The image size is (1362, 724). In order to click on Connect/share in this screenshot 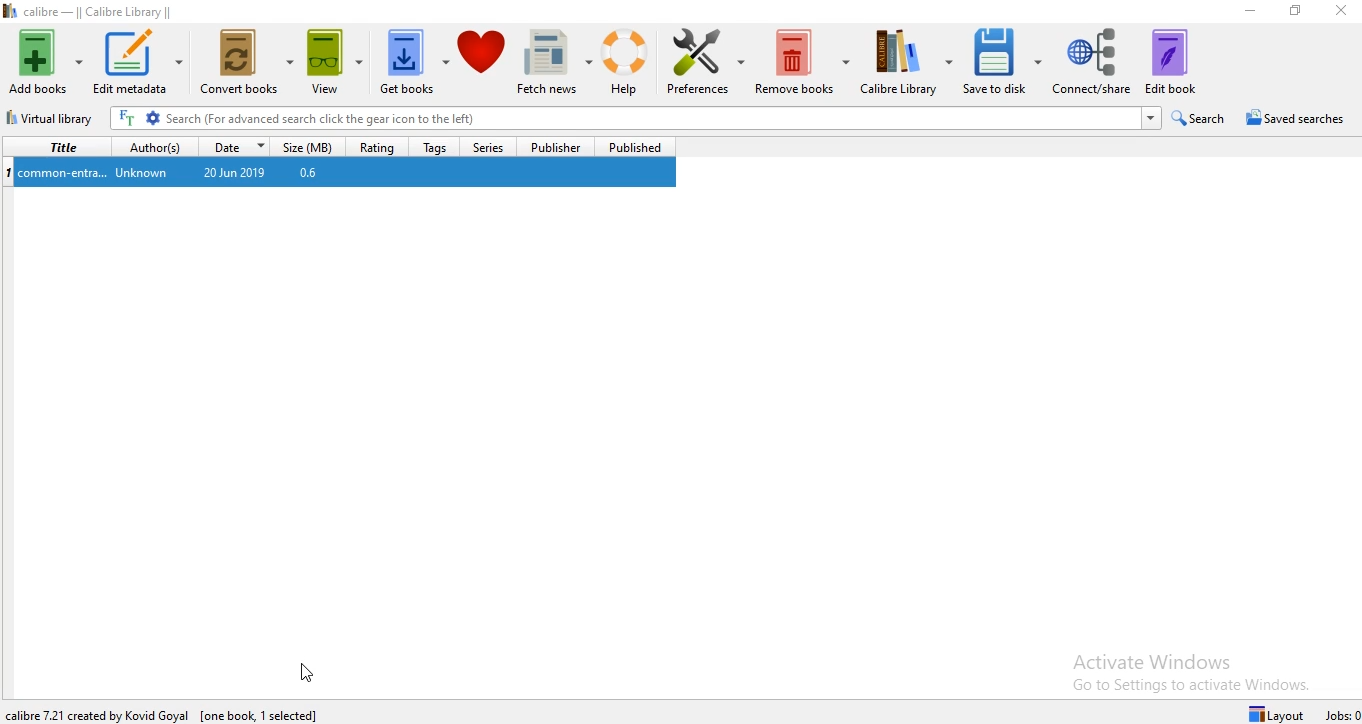, I will do `click(1093, 60)`.